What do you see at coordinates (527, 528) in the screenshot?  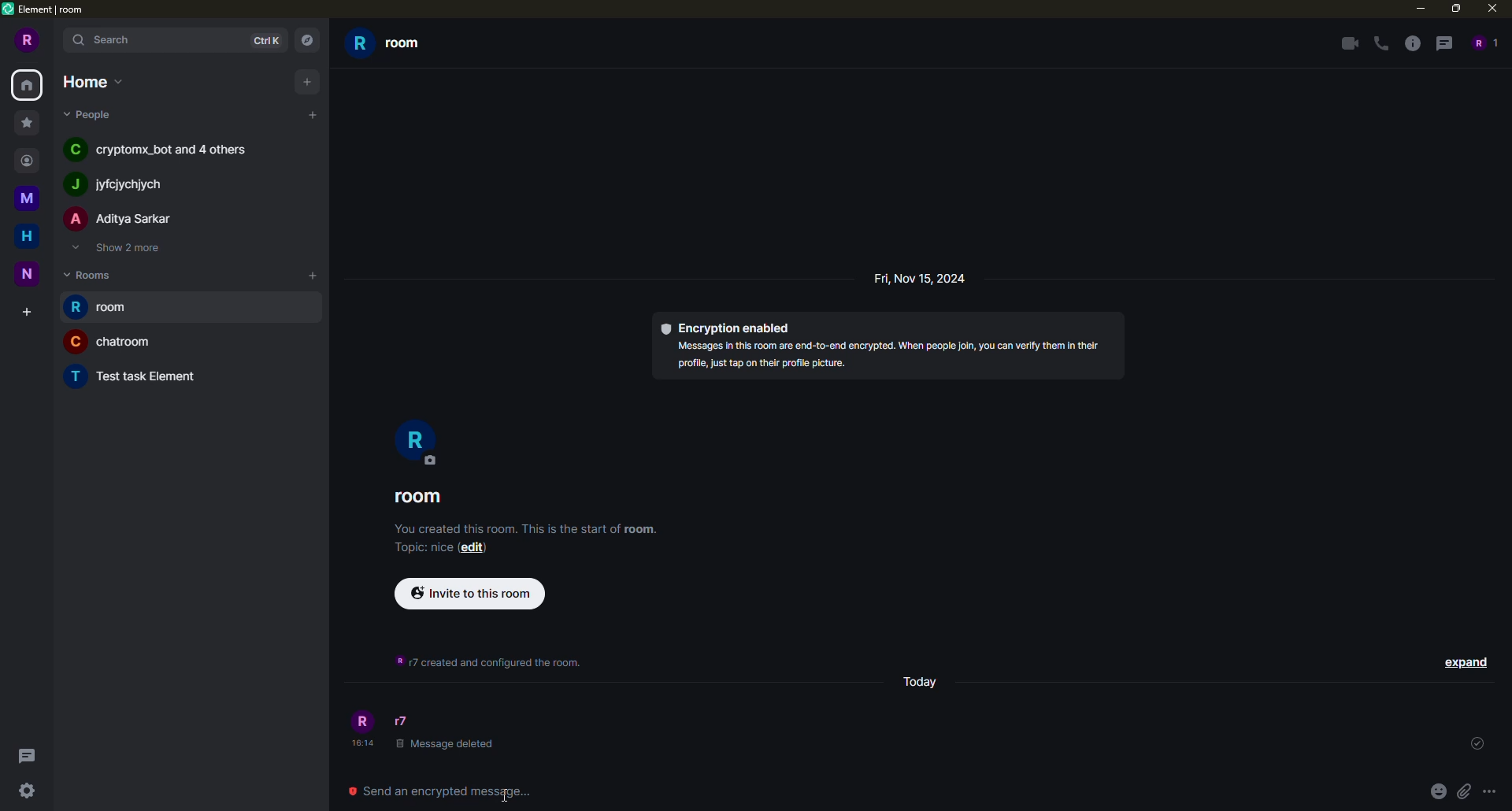 I see `info` at bounding box center [527, 528].